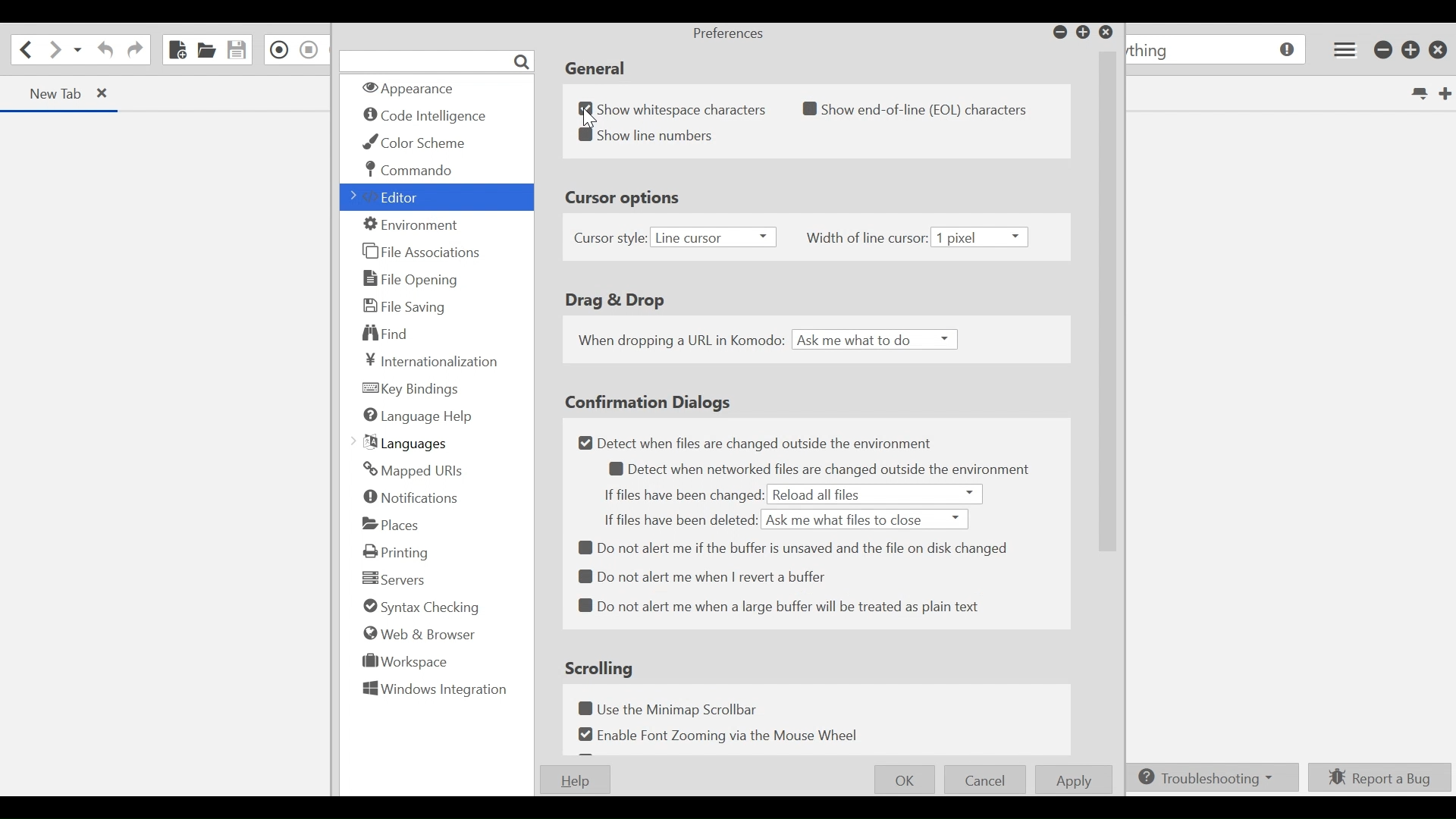  Describe the element at coordinates (704, 576) in the screenshot. I see `Do not alert me when I revert a buffer` at that location.